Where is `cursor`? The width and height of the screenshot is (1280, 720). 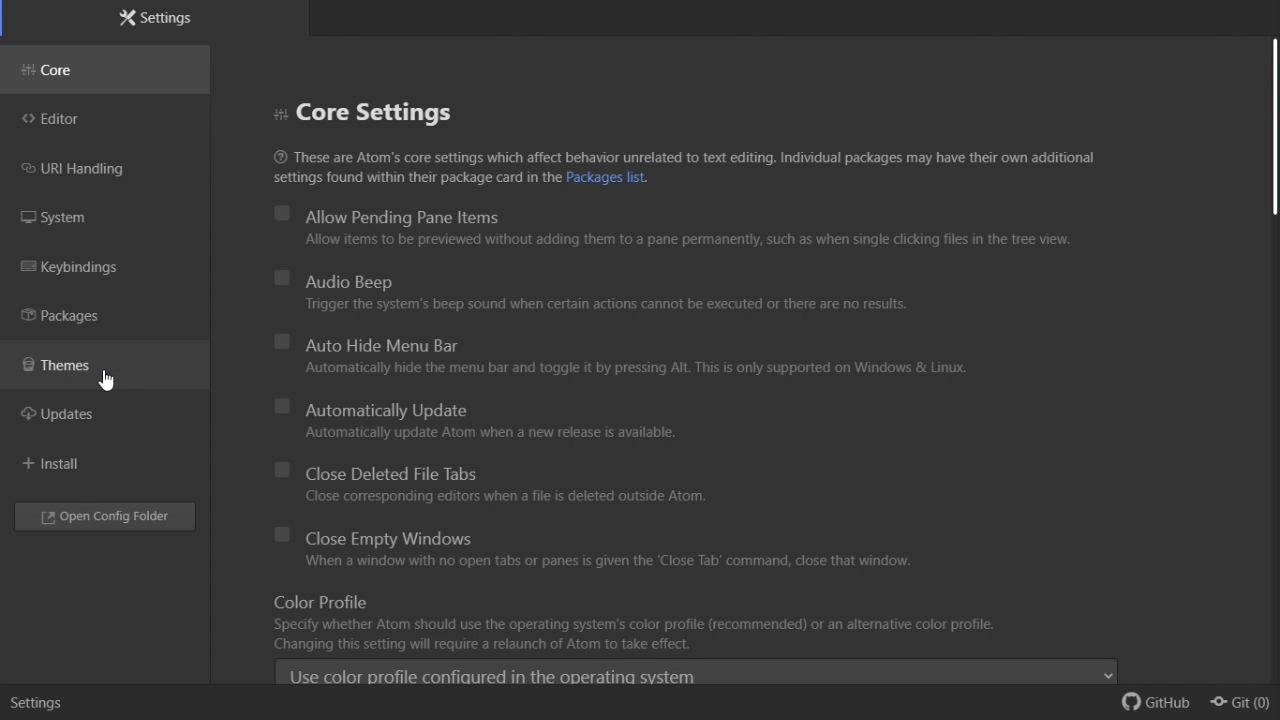
cursor is located at coordinates (114, 378).